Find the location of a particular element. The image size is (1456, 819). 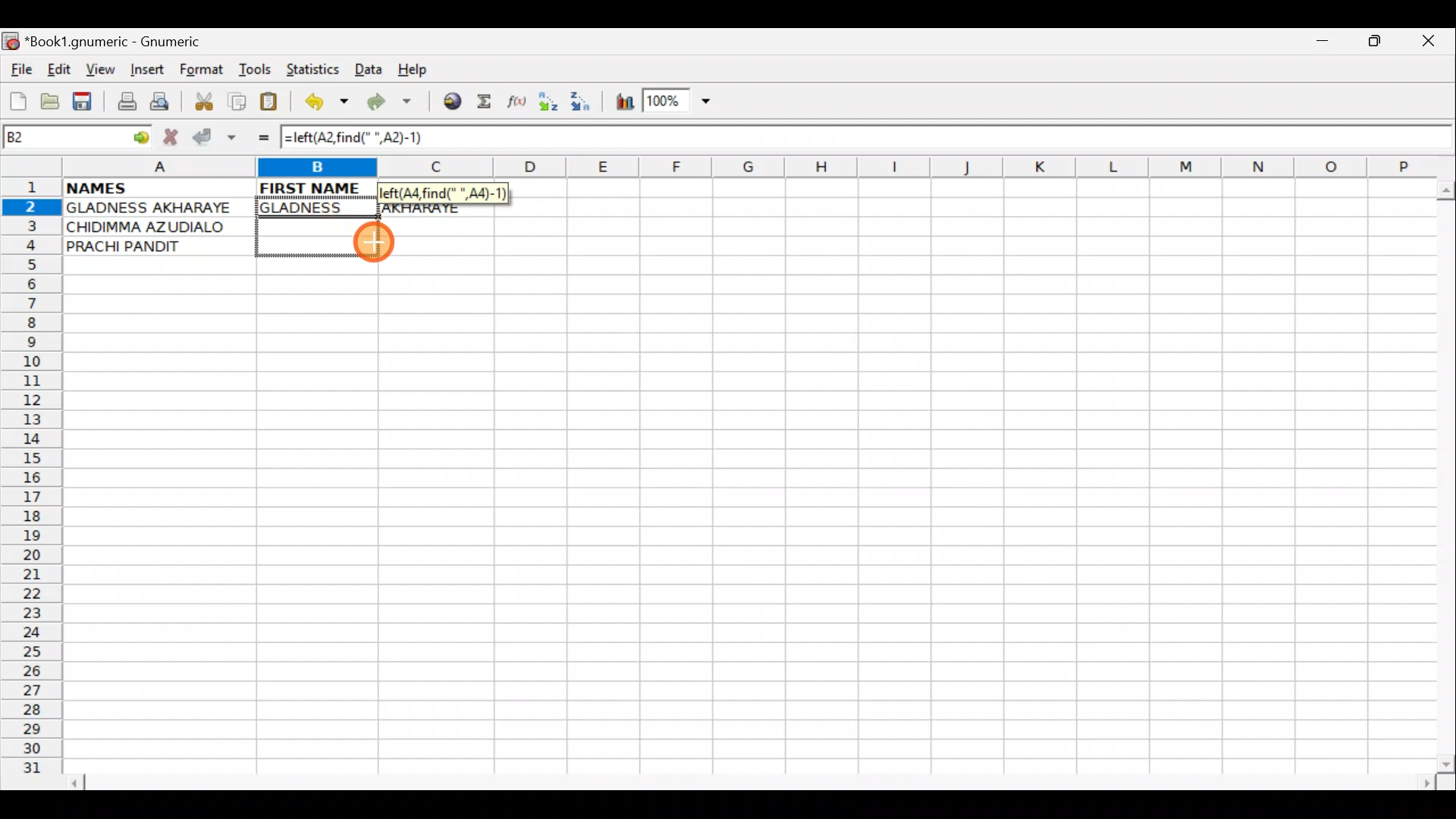

Insert is located at coordinates (146, 70).